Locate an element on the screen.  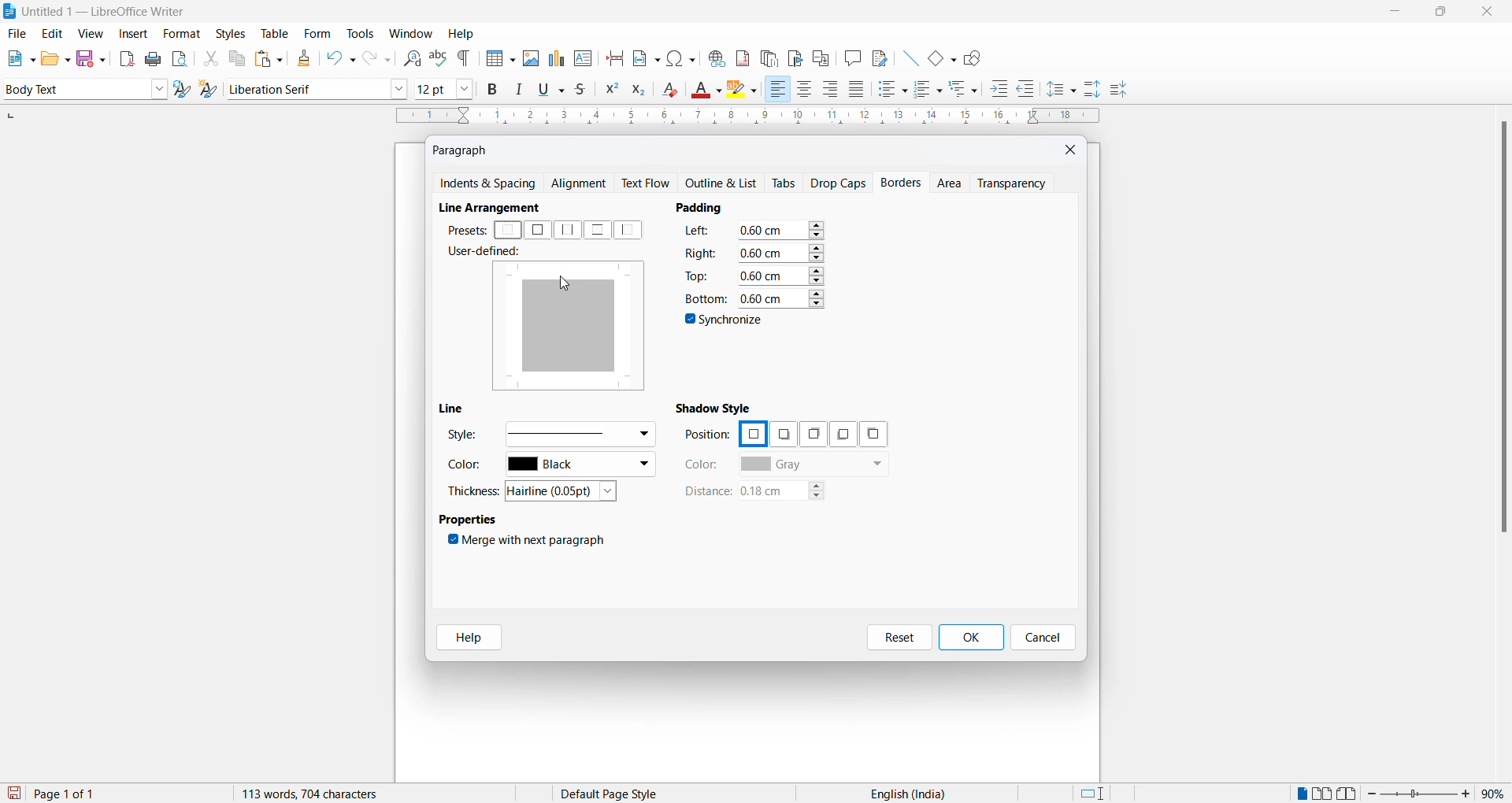
position options is located at coordinates (810, 434).